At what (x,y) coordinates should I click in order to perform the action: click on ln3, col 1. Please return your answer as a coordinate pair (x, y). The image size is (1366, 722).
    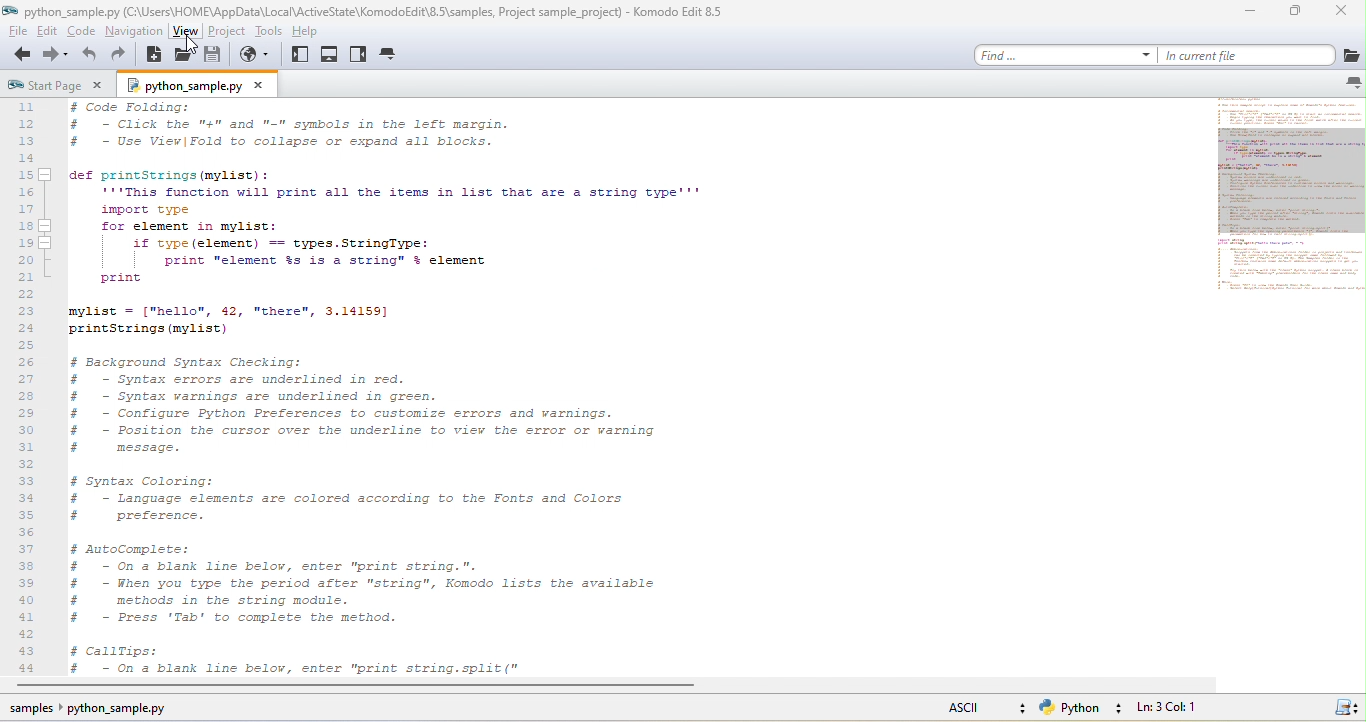
    Looking at the image, I should click on (1185, 709).